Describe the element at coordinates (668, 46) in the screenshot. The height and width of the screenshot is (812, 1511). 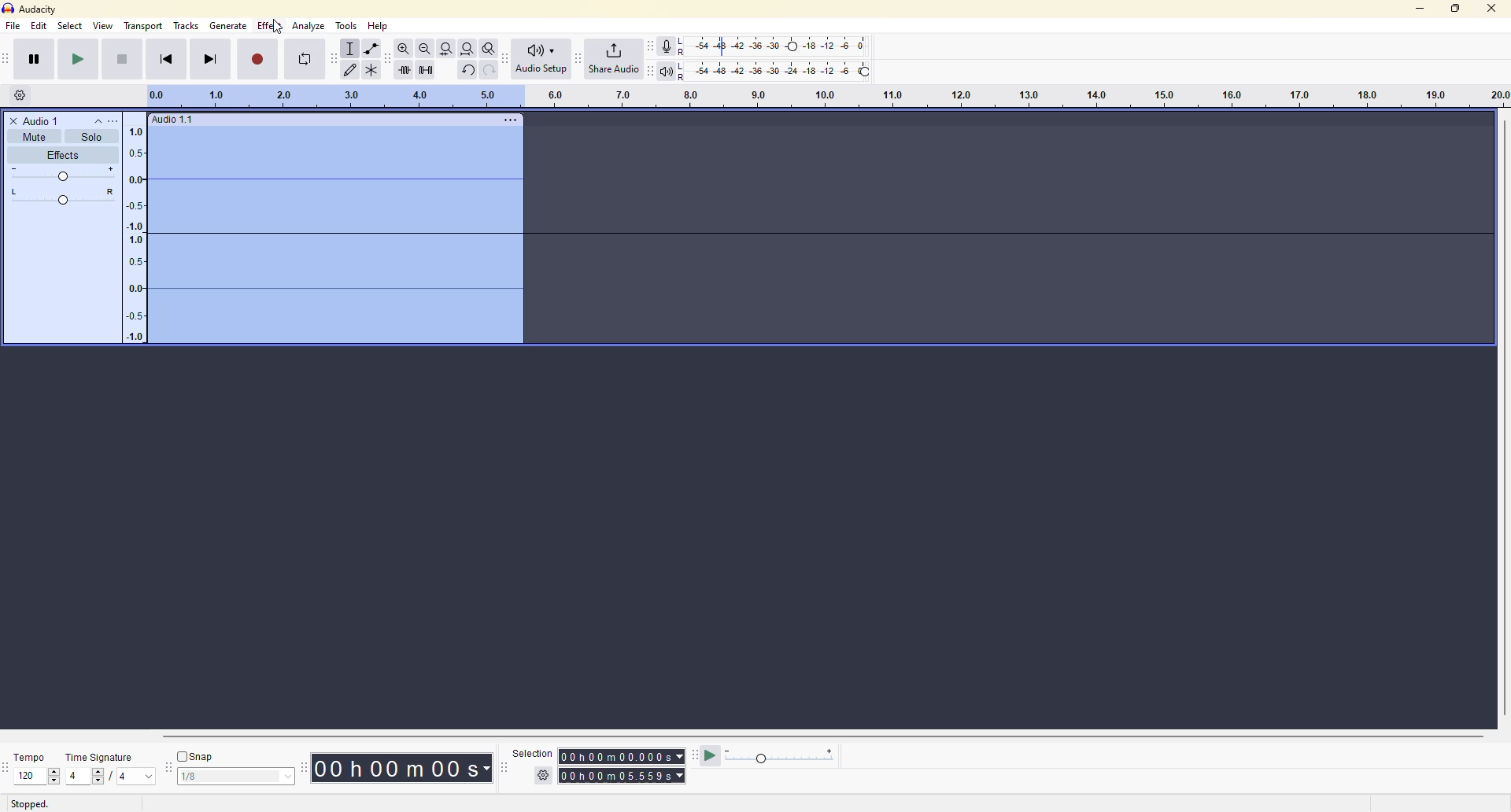
I see `record meter` at that location.